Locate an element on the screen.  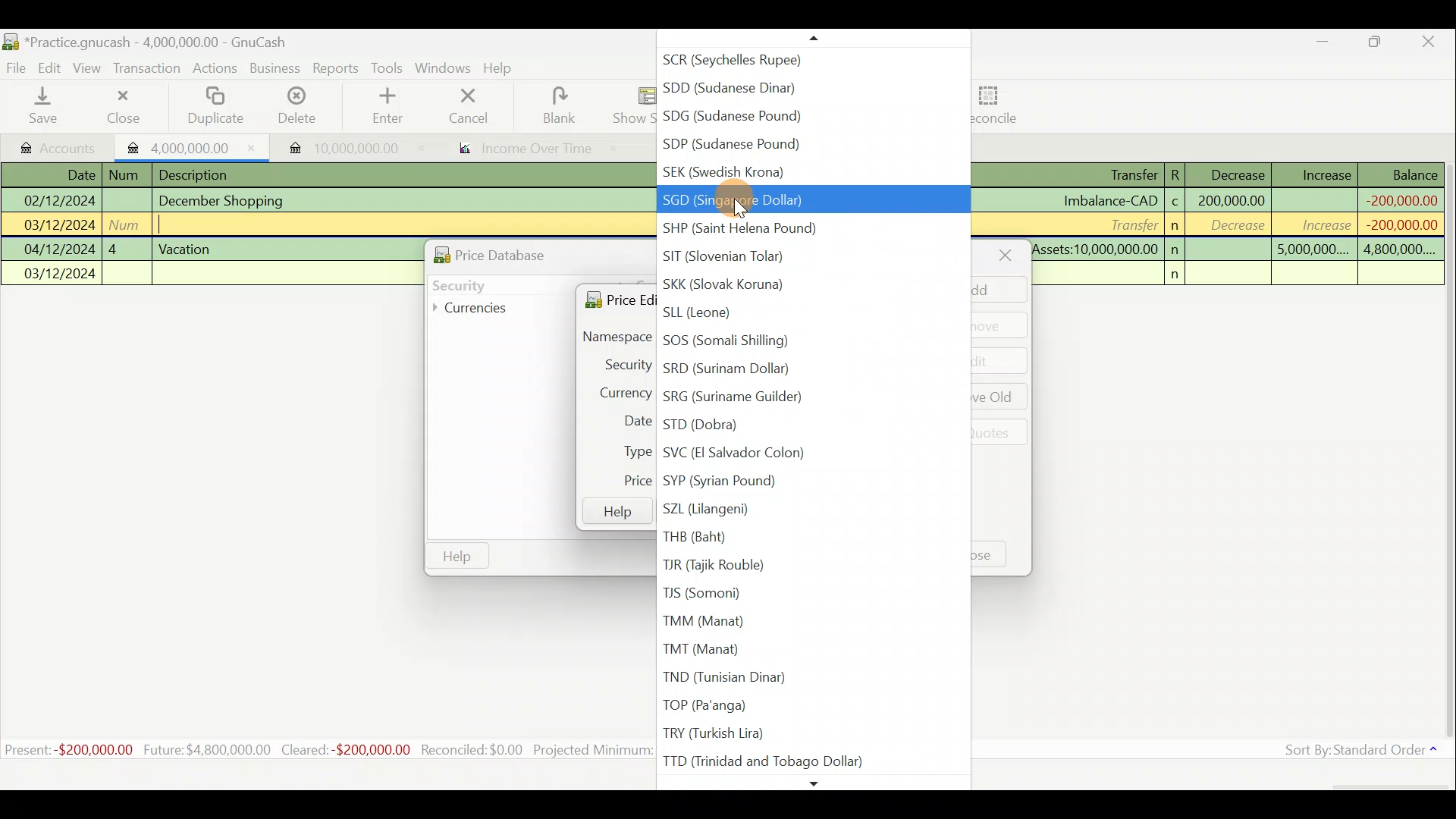
Type is located at coordinates (630, 451).